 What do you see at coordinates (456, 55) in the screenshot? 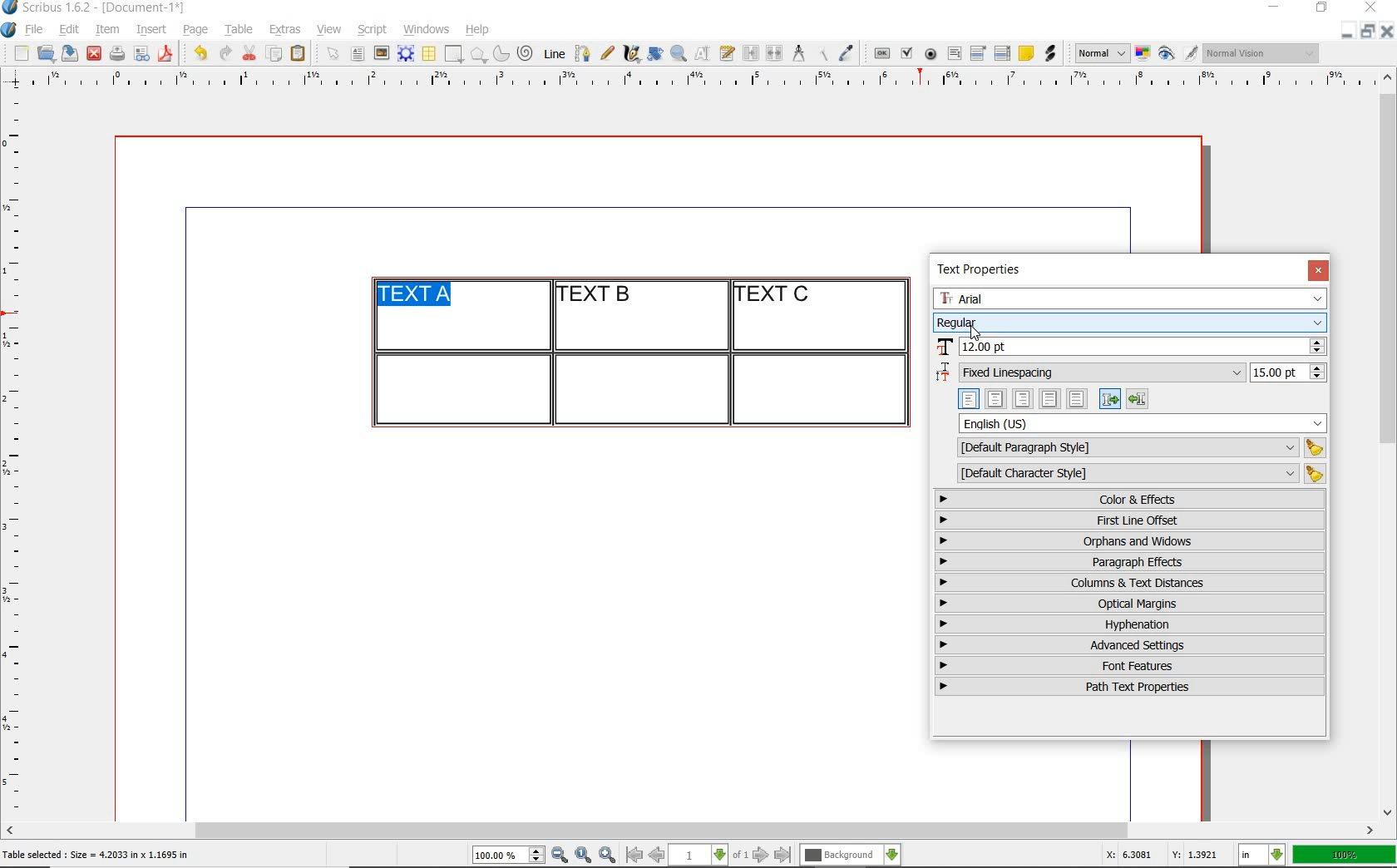
I see `shape` at bounding box center [456, 55].